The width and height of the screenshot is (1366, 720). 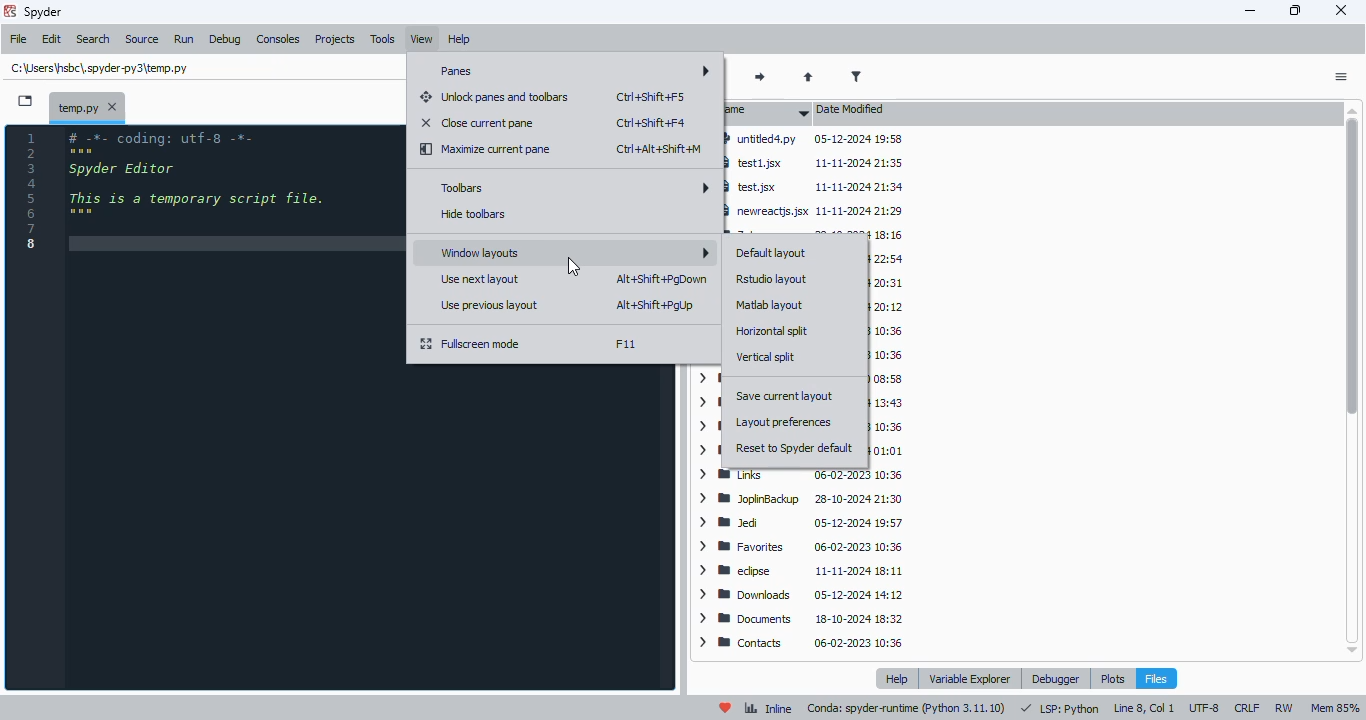 What do you see at coordinates (795, 448) in the screenshot?
I see `reset to spyder default` at bounding box center [795, 448].